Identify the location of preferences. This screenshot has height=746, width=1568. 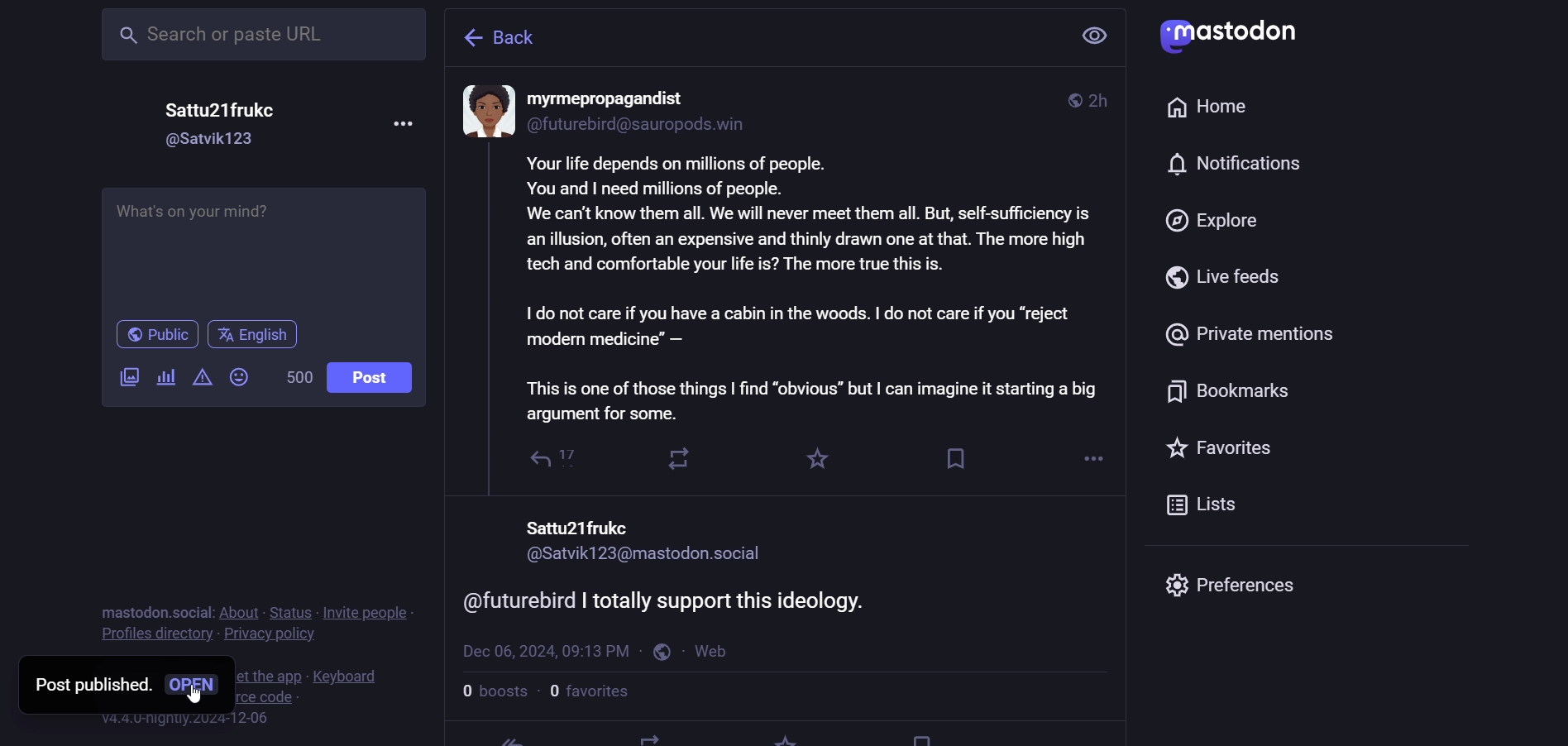
(1234, 587).